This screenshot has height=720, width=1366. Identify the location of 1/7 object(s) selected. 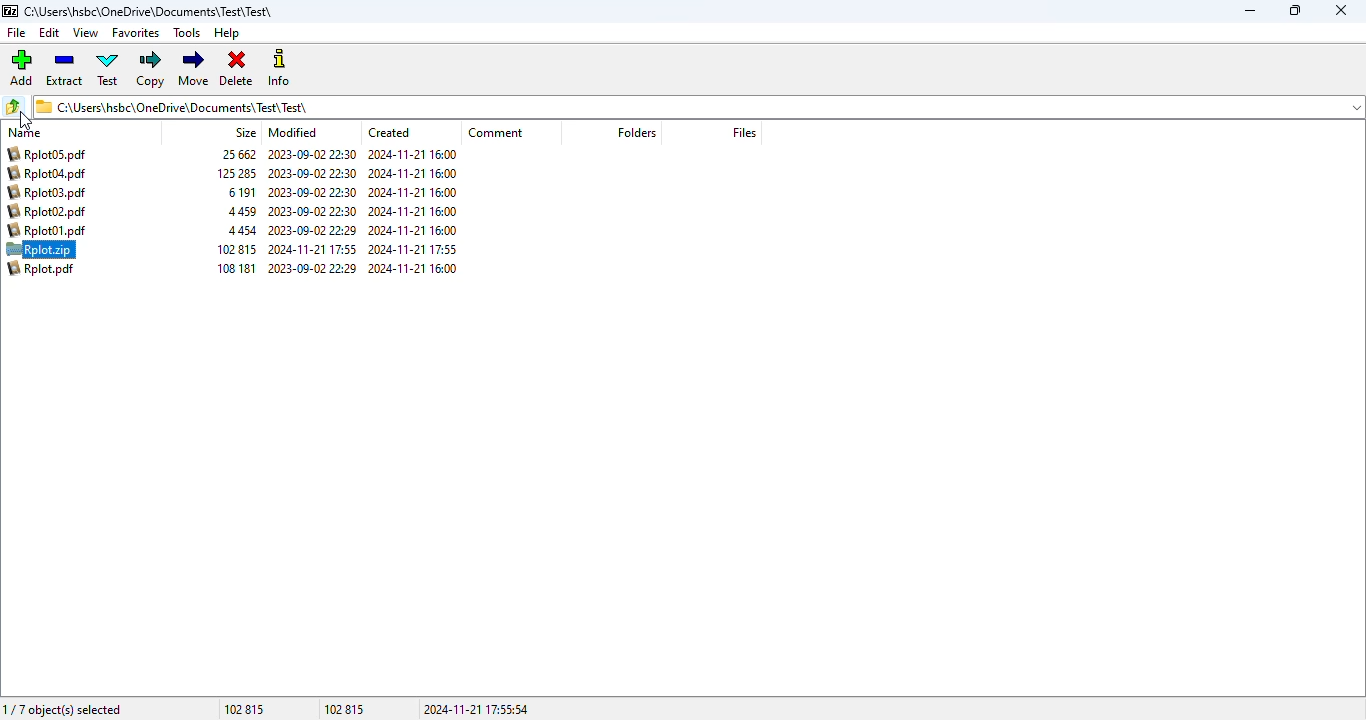
(63, 710).